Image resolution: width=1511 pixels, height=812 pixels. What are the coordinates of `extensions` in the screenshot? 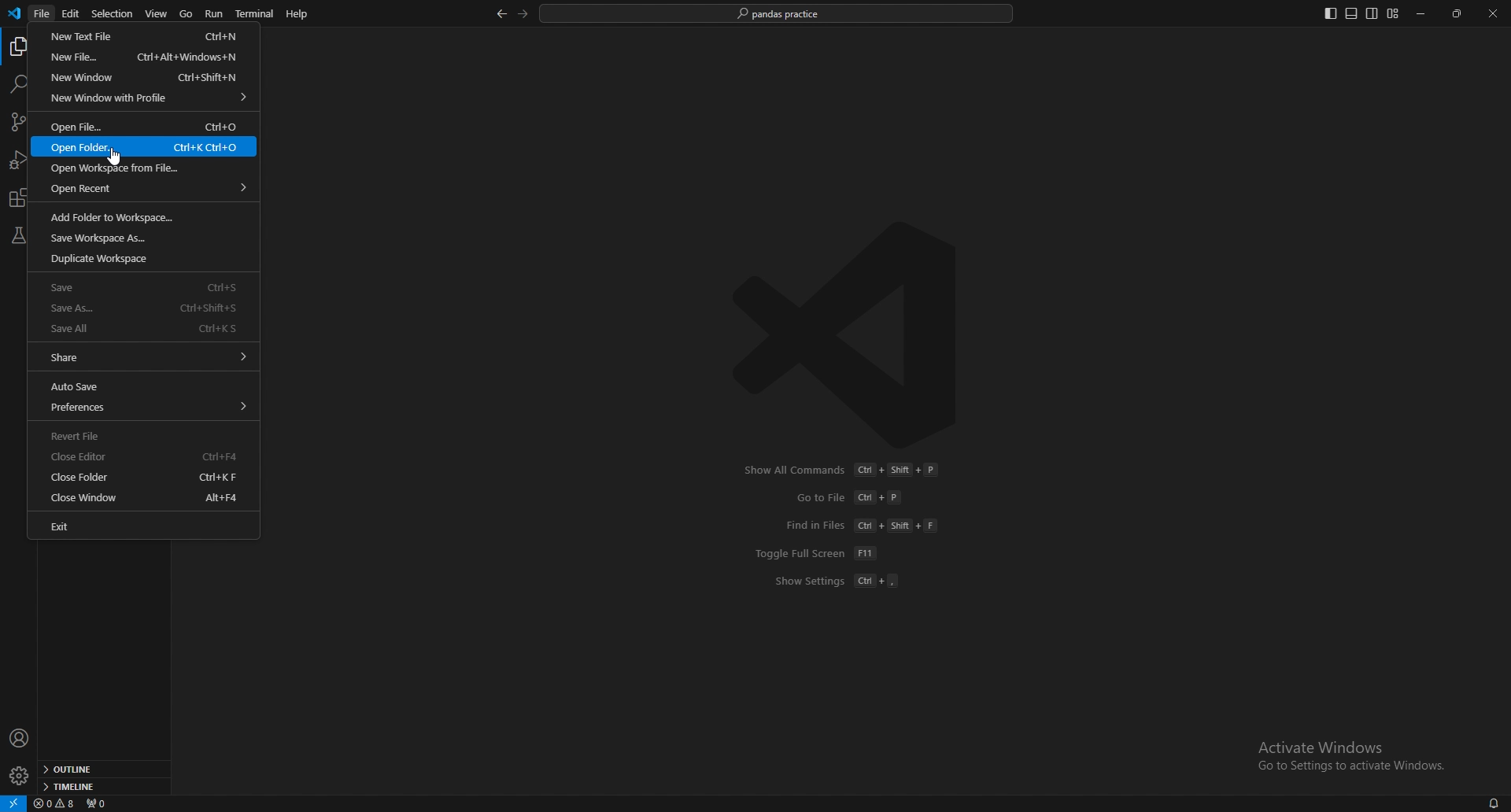 It's located at (20, 198).